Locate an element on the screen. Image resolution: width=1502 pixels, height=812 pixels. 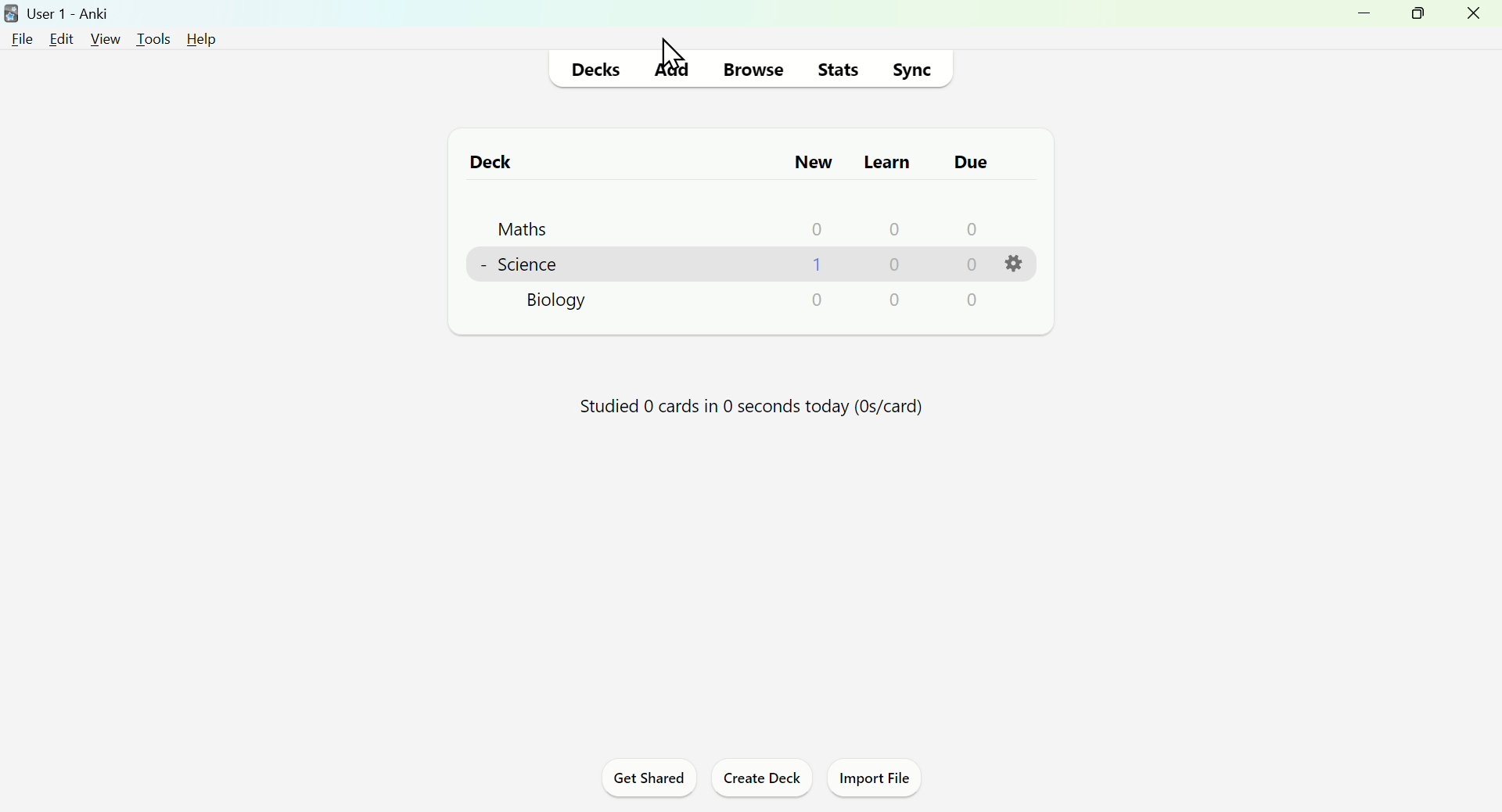
edit is located at coordinates (62, 38).